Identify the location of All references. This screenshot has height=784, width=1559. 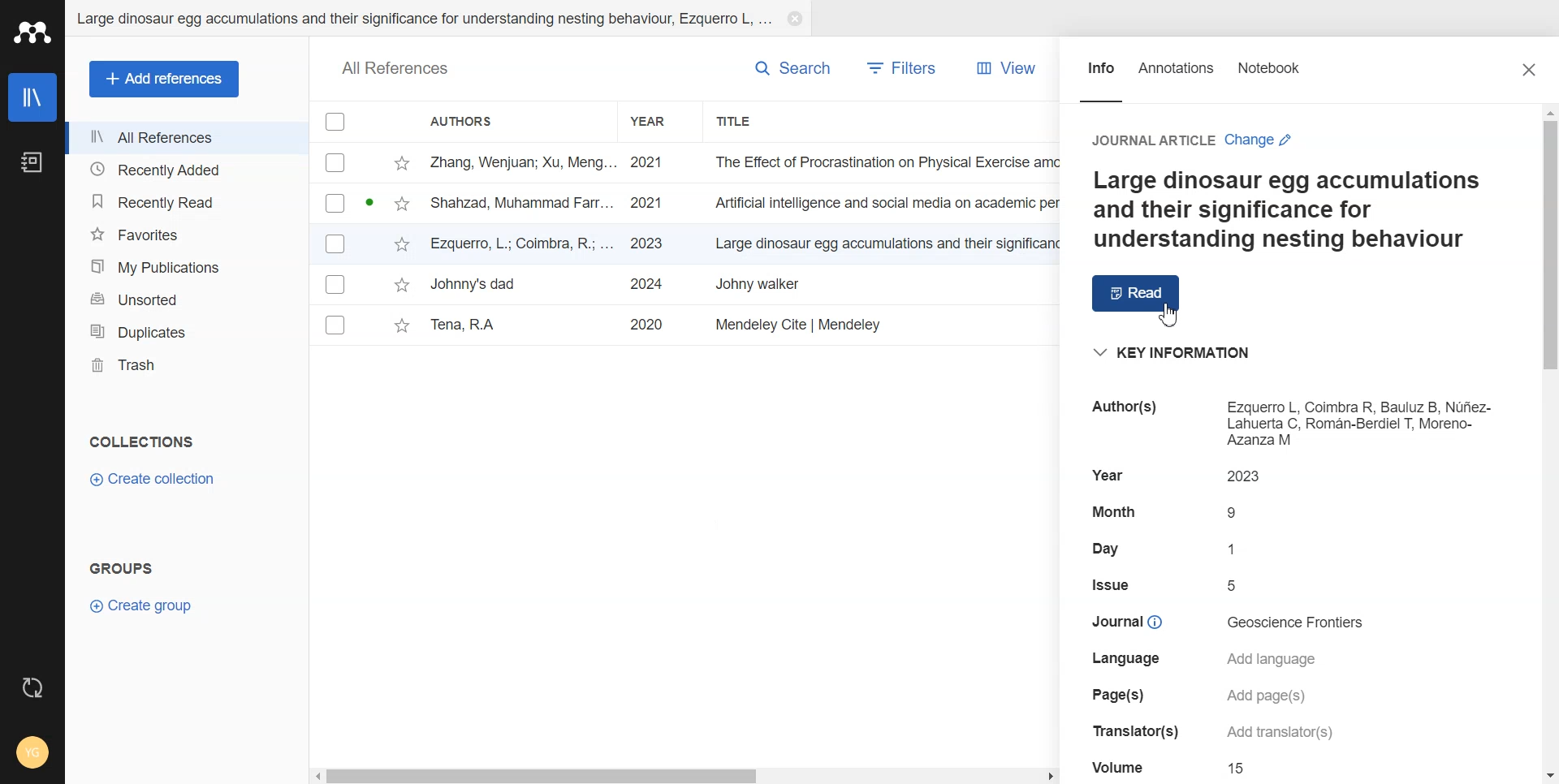
(186, 136).